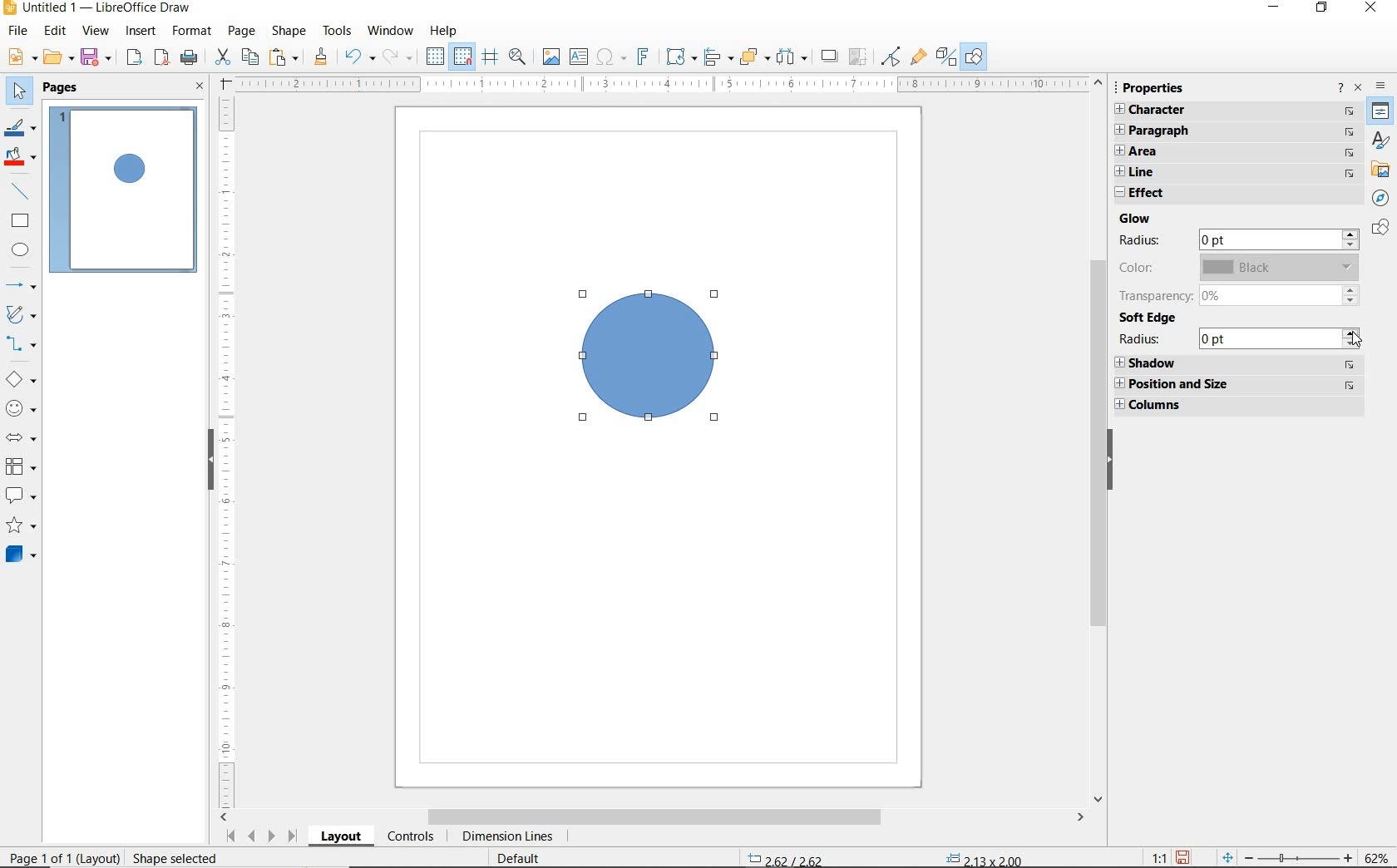 Image resolution: width=1397 pixels, height=868 pixels. Describe the element at coordinates (1349, 267) in the screenshot. I see `drop down (greyed out)` at that location.